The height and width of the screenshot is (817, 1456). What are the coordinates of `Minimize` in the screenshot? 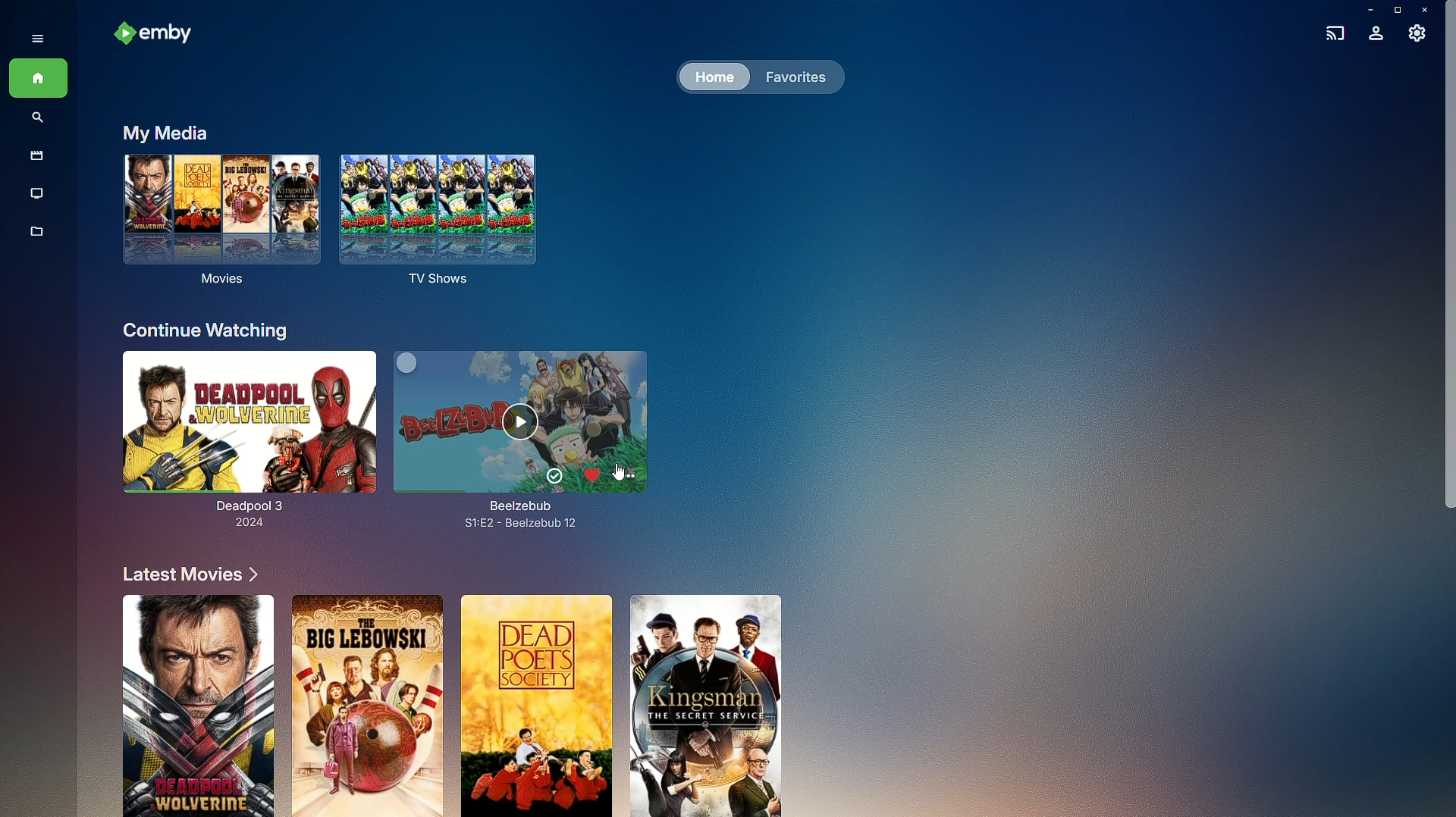 It's located at (1366, 10).